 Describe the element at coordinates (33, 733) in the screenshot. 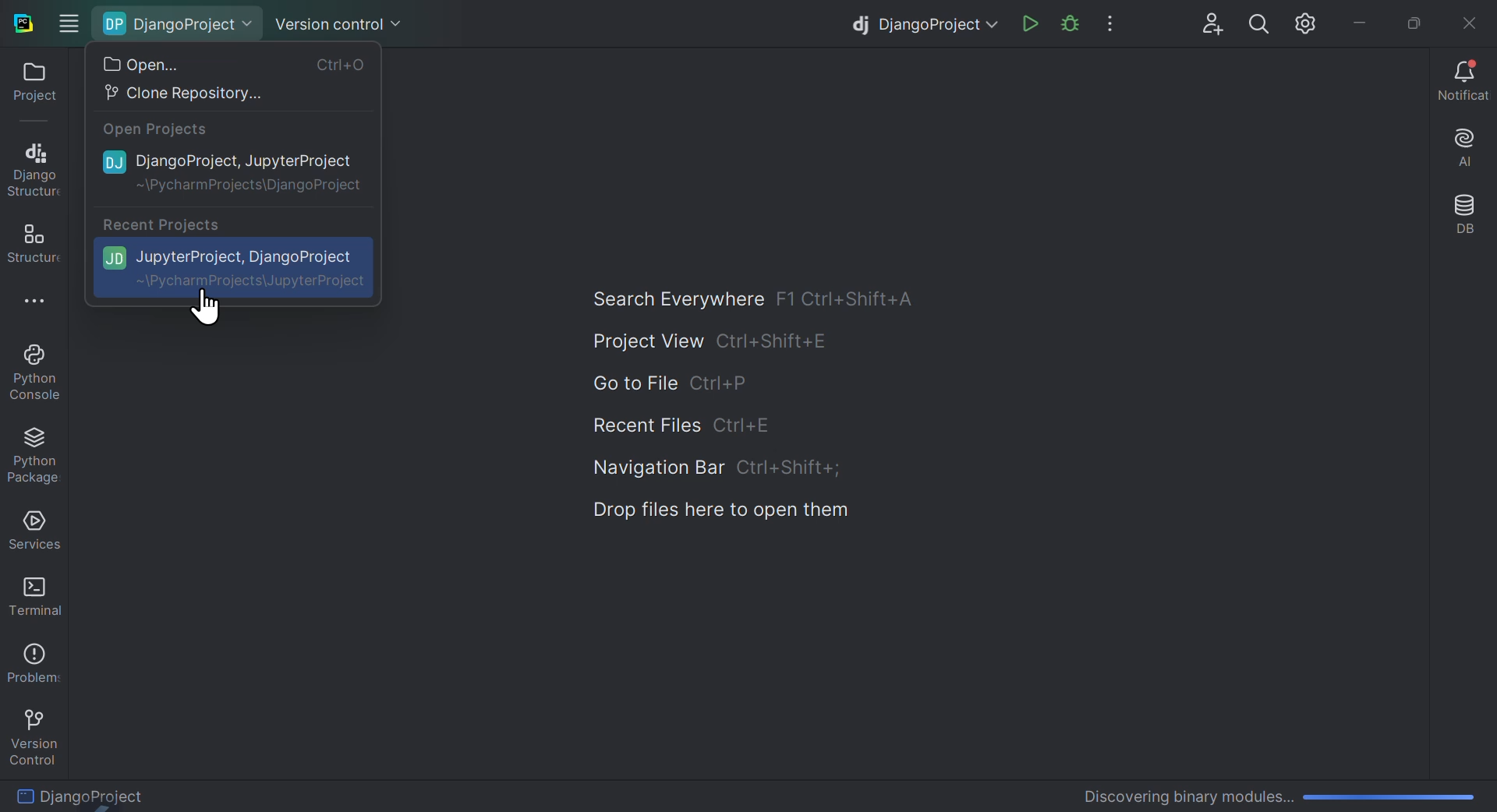

I see `version control` at that location.